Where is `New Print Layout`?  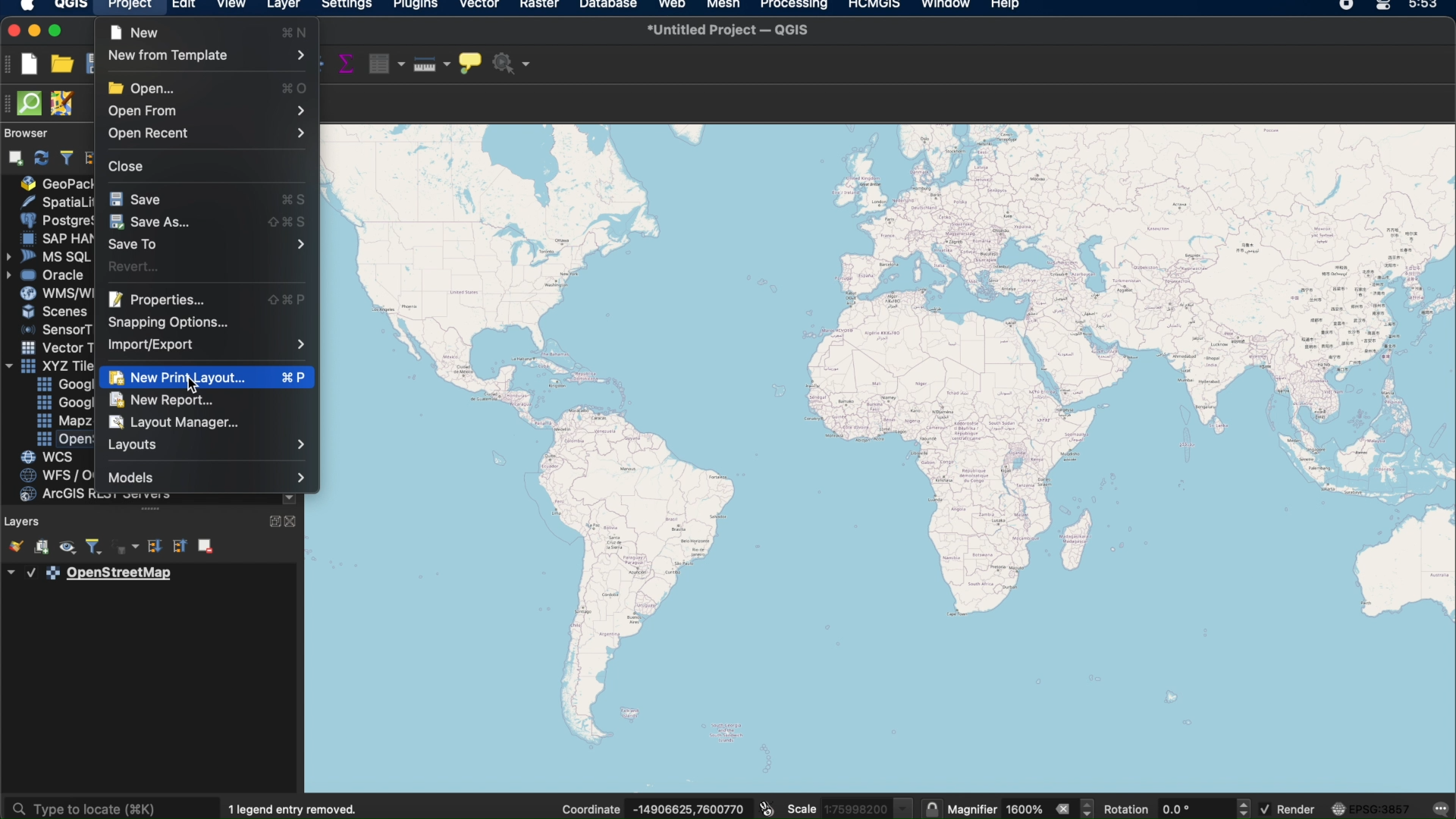 New Print Layout is located at coordinates (209, 378).